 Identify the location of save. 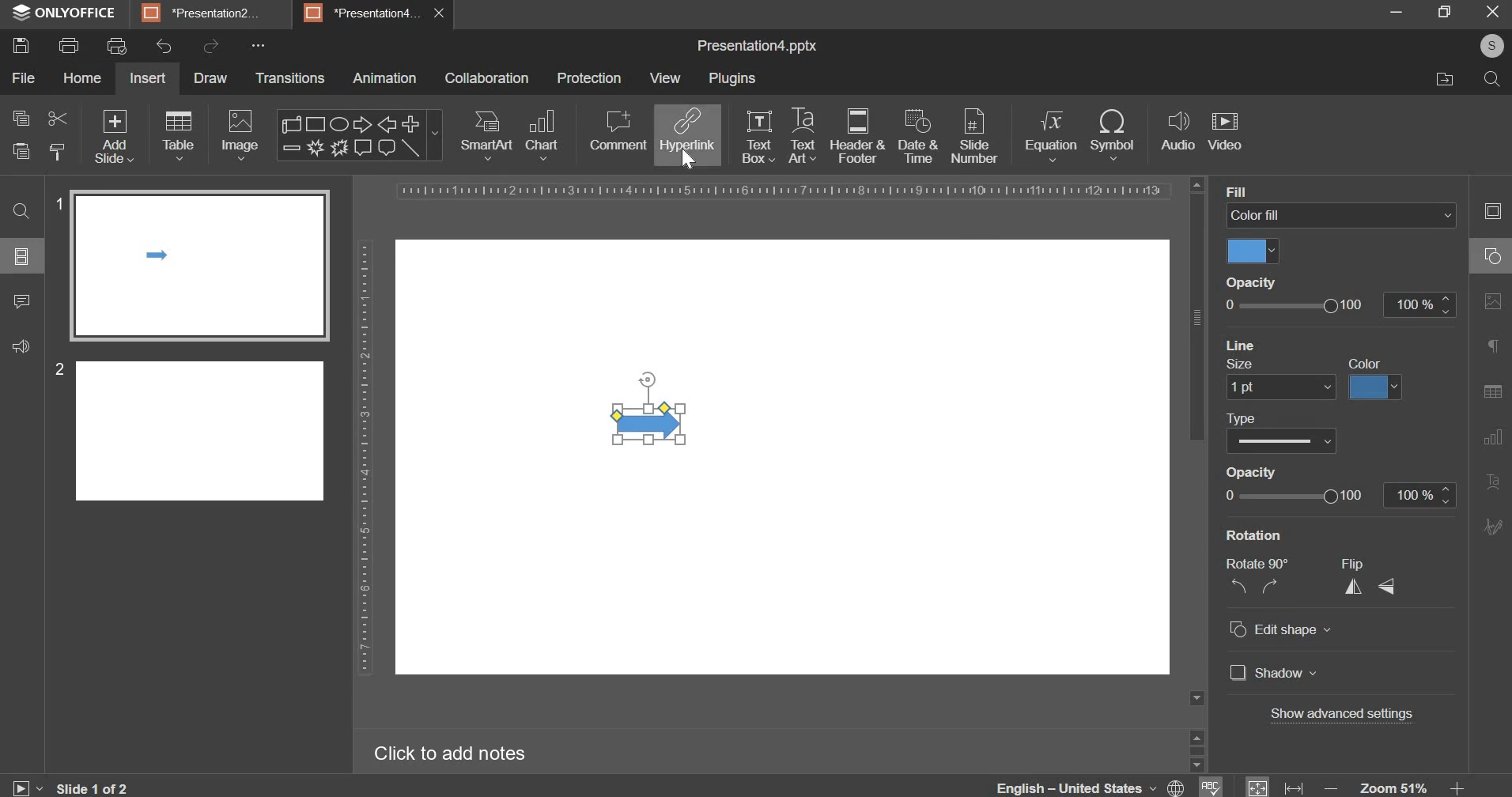
(24, 47).